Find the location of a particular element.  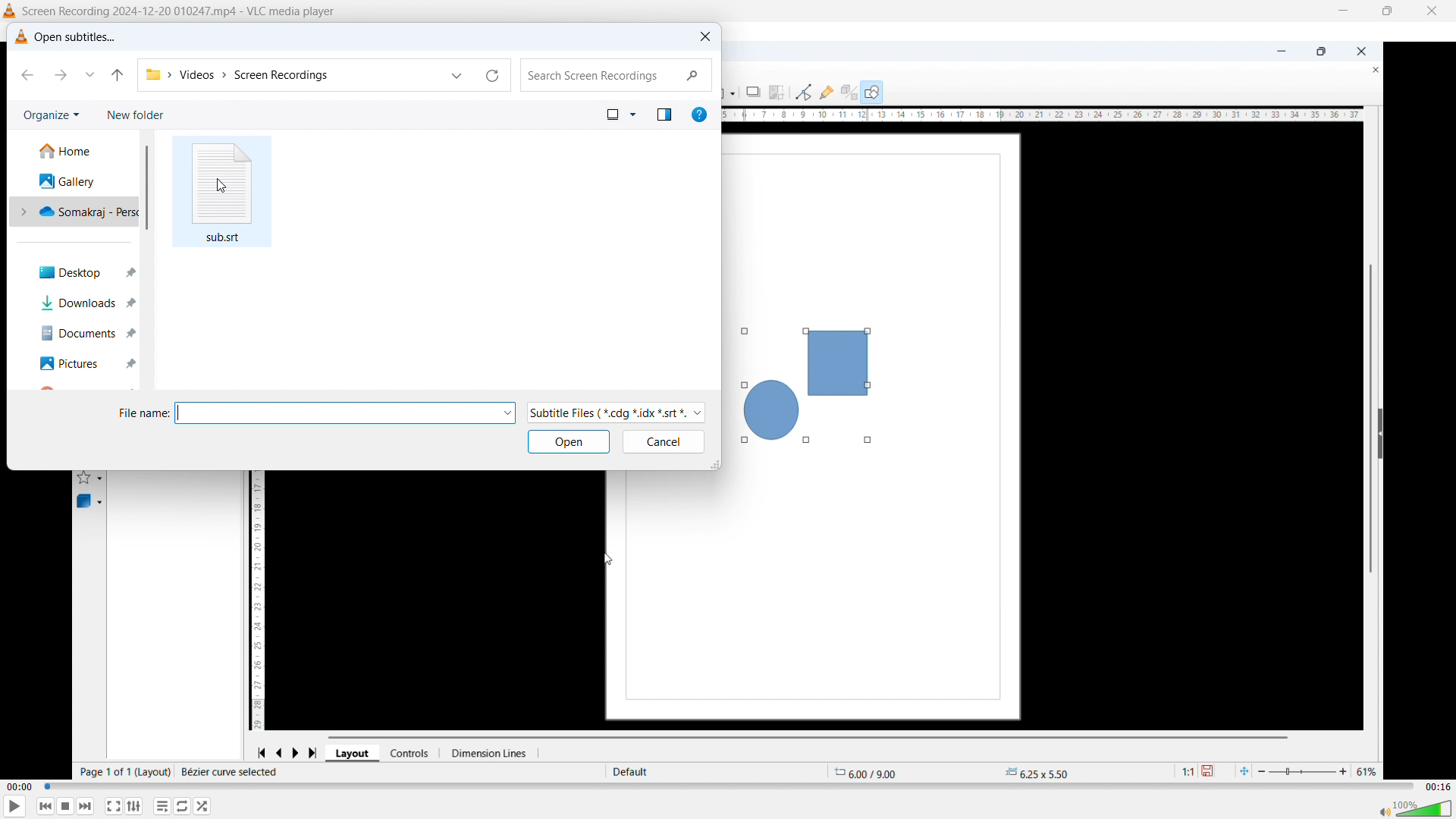

Home folder  is located at coordinates (67, 152).